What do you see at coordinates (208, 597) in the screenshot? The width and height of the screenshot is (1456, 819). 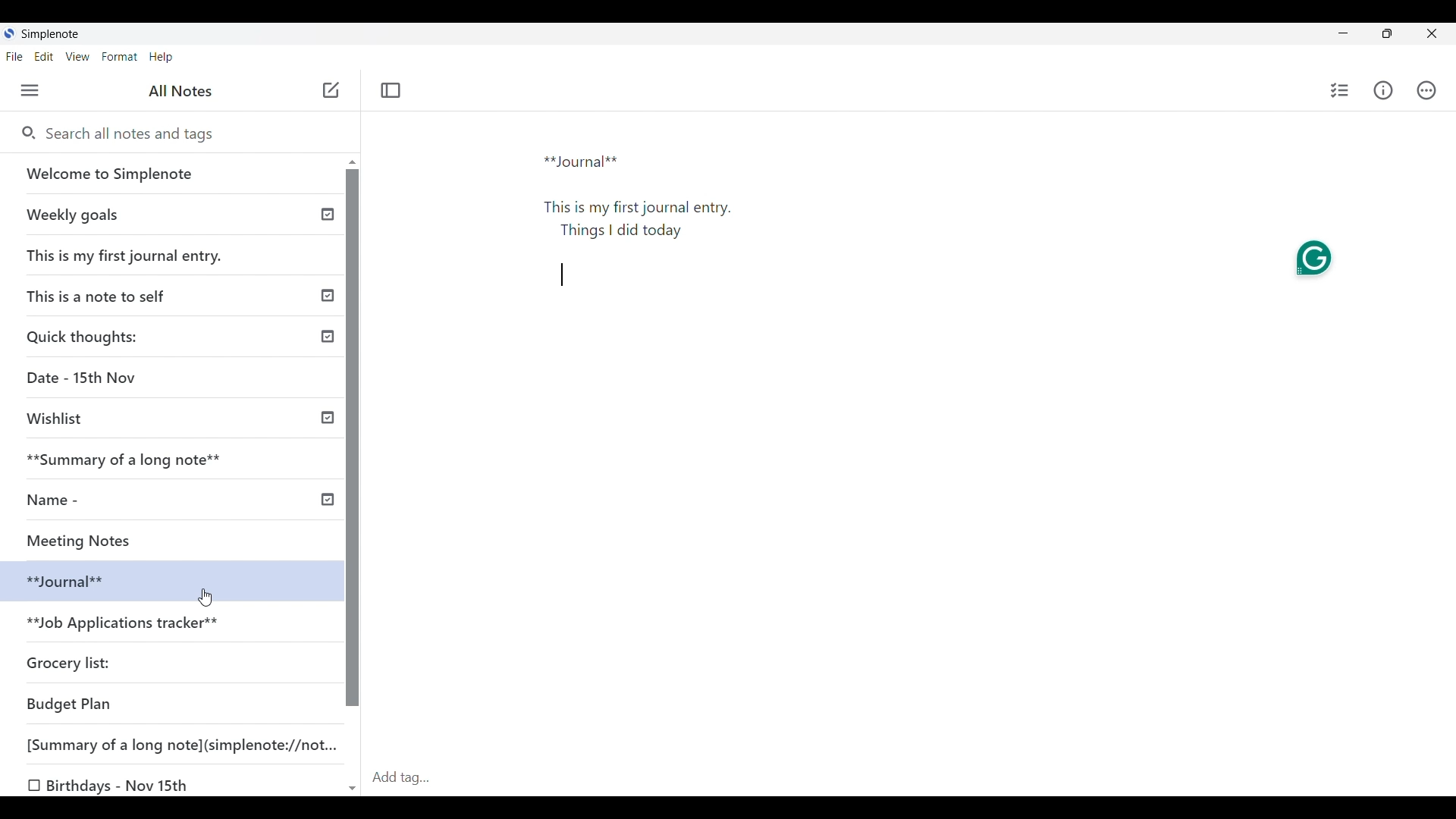 I see `cursor` at bounding box center [208, 597].